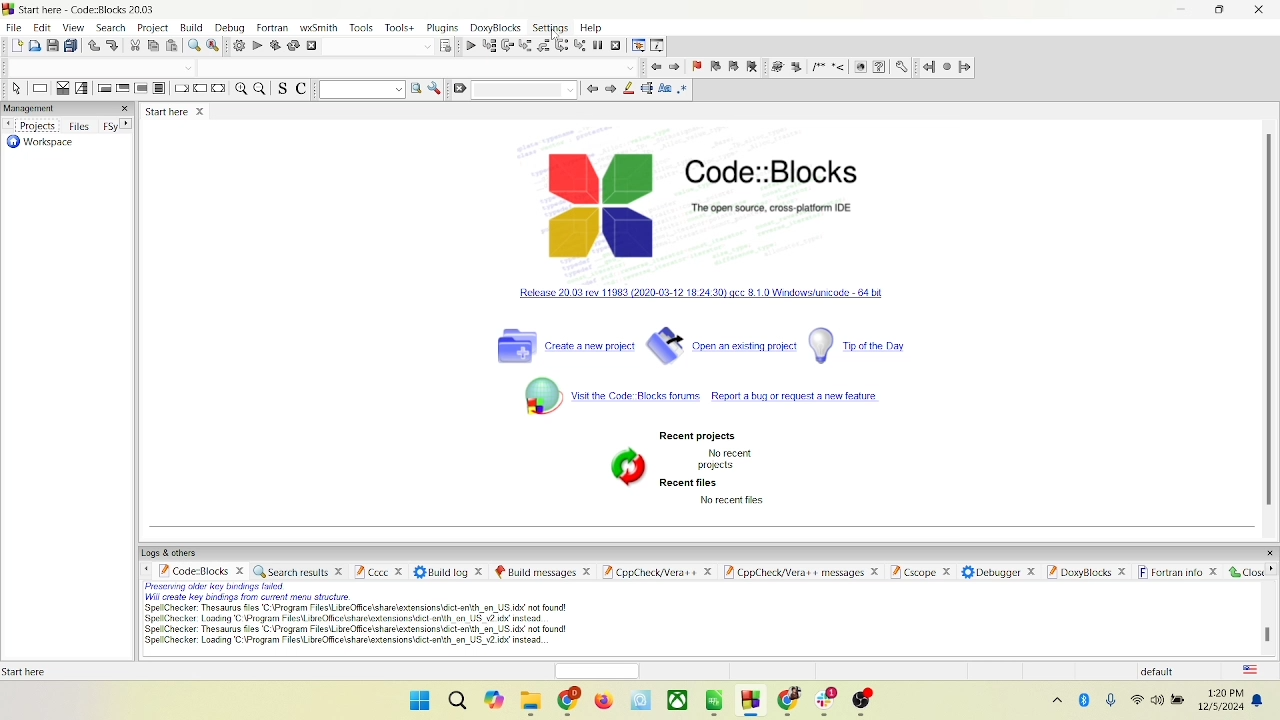  What do you see at coordinates (308, 46) in the screenshot?
I see `abort` at bounding box center [308, 46].